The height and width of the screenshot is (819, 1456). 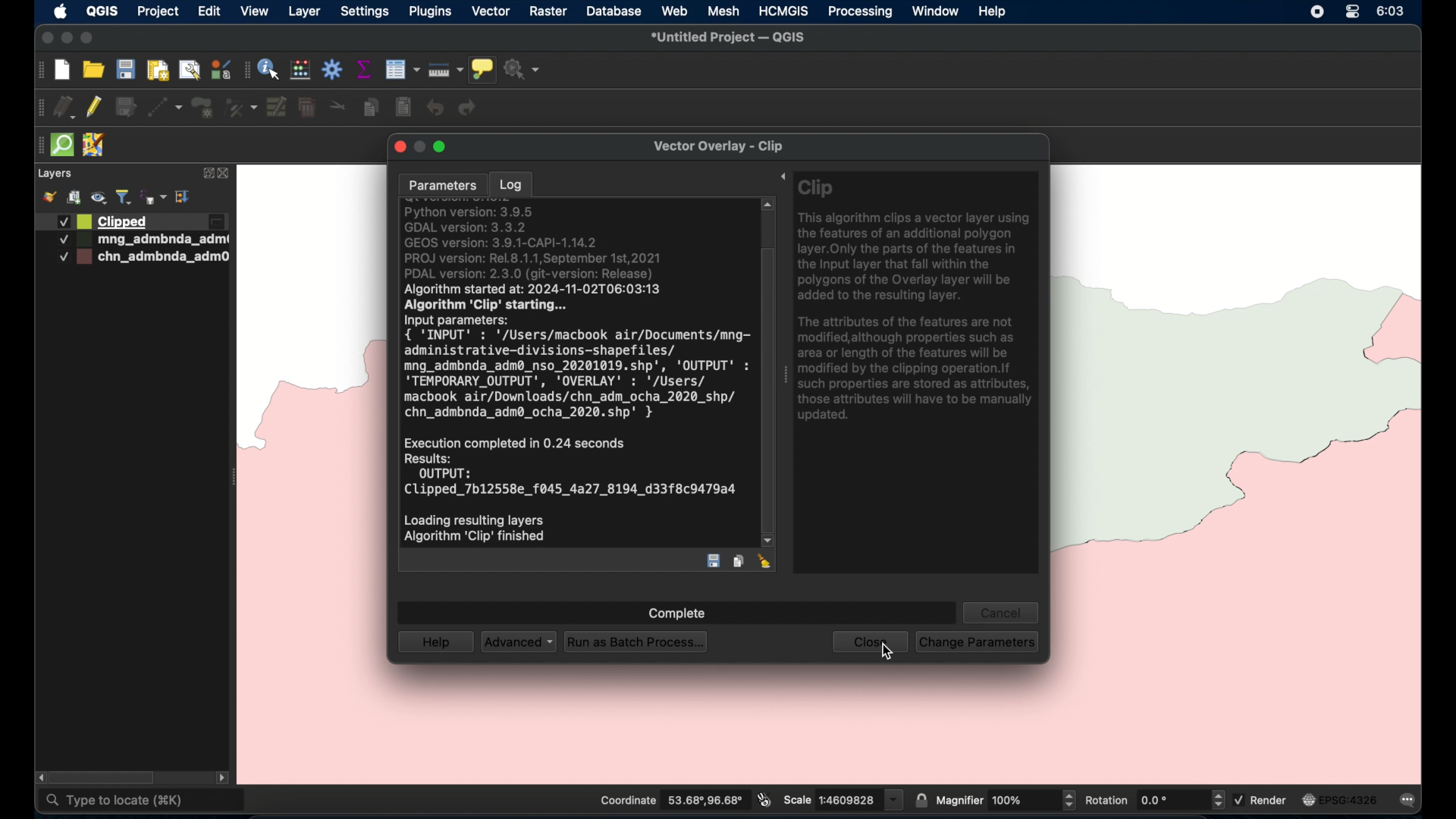 What do you see at coordinates (124, 197) in the screenshot?
I see `filter legend` at bounding box center [124, 197].